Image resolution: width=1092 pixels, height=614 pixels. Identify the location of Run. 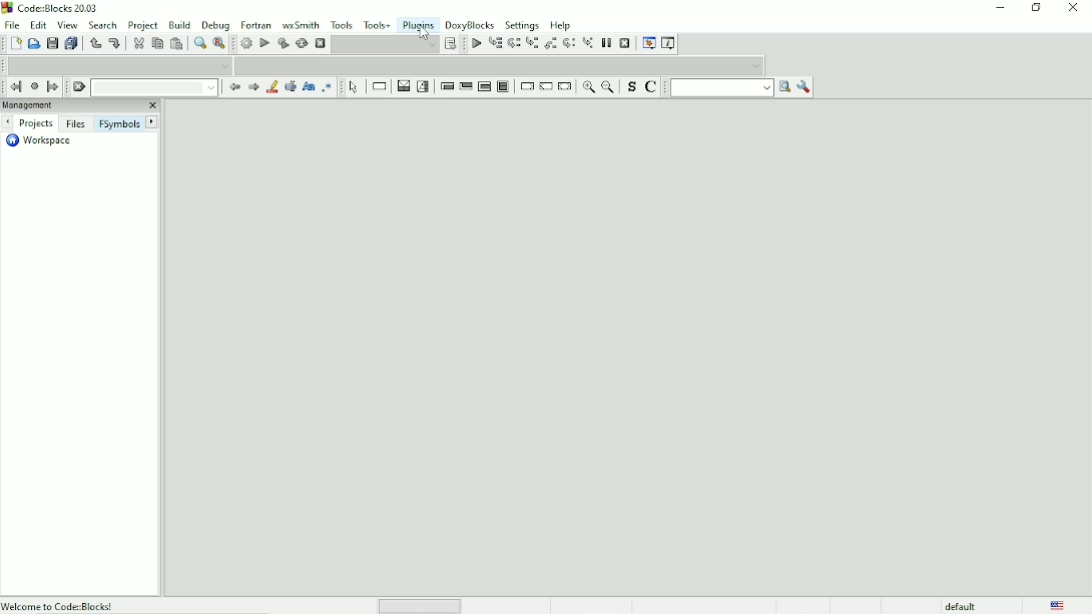
(265, 43).